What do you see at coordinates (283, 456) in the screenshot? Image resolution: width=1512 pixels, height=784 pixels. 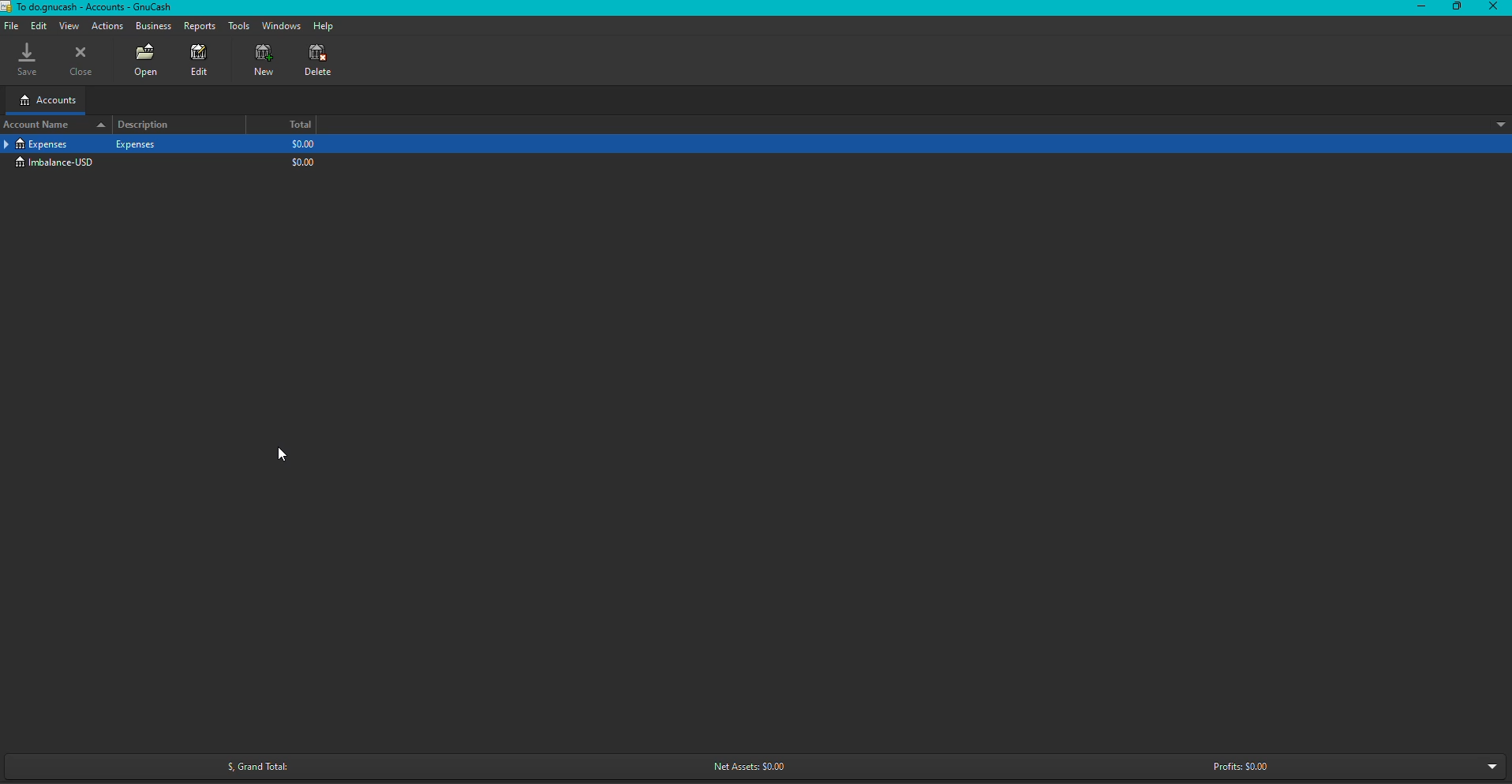 I see `Cursor` at bounding box center [283, 456].